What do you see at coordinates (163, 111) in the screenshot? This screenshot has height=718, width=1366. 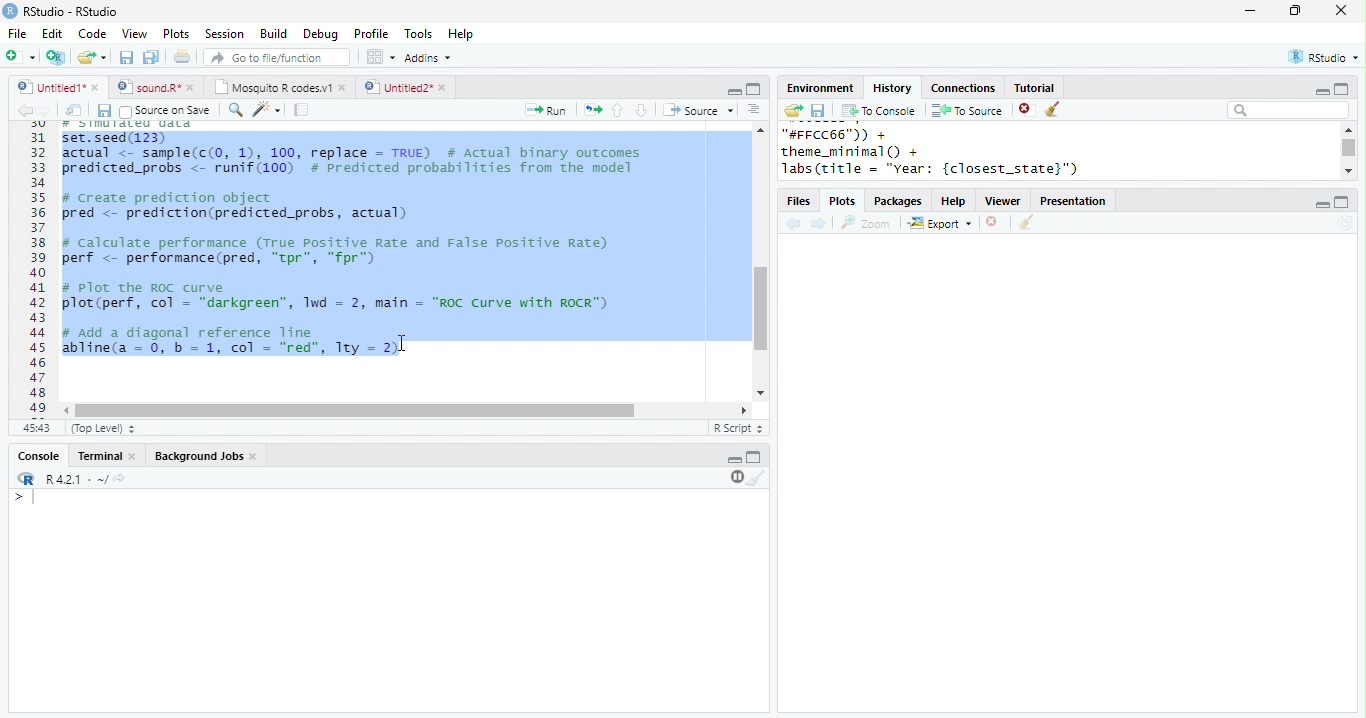 I see `Source on Save` at bounding box center [163, 111].